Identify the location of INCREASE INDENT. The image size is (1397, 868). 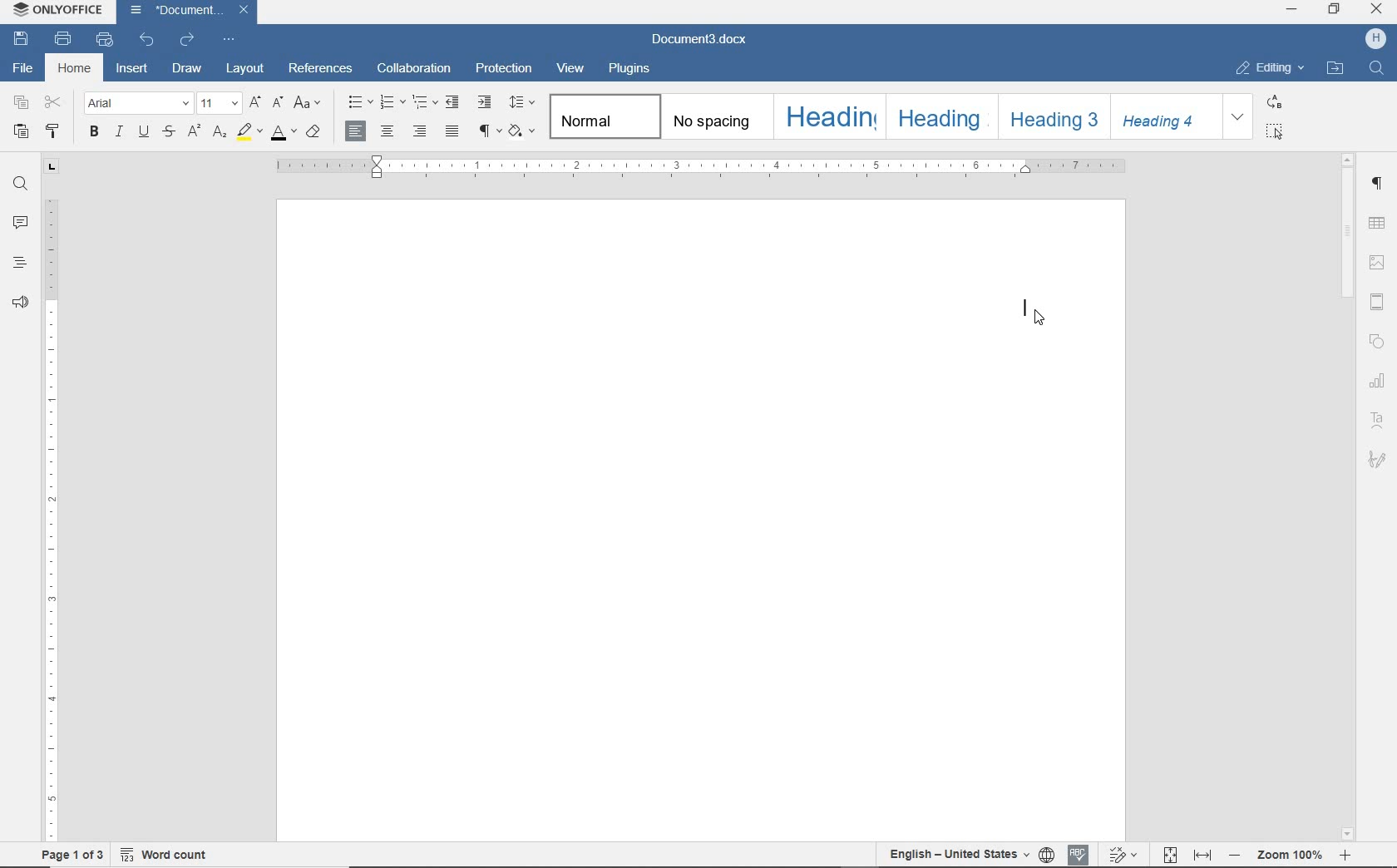
(485, 103).